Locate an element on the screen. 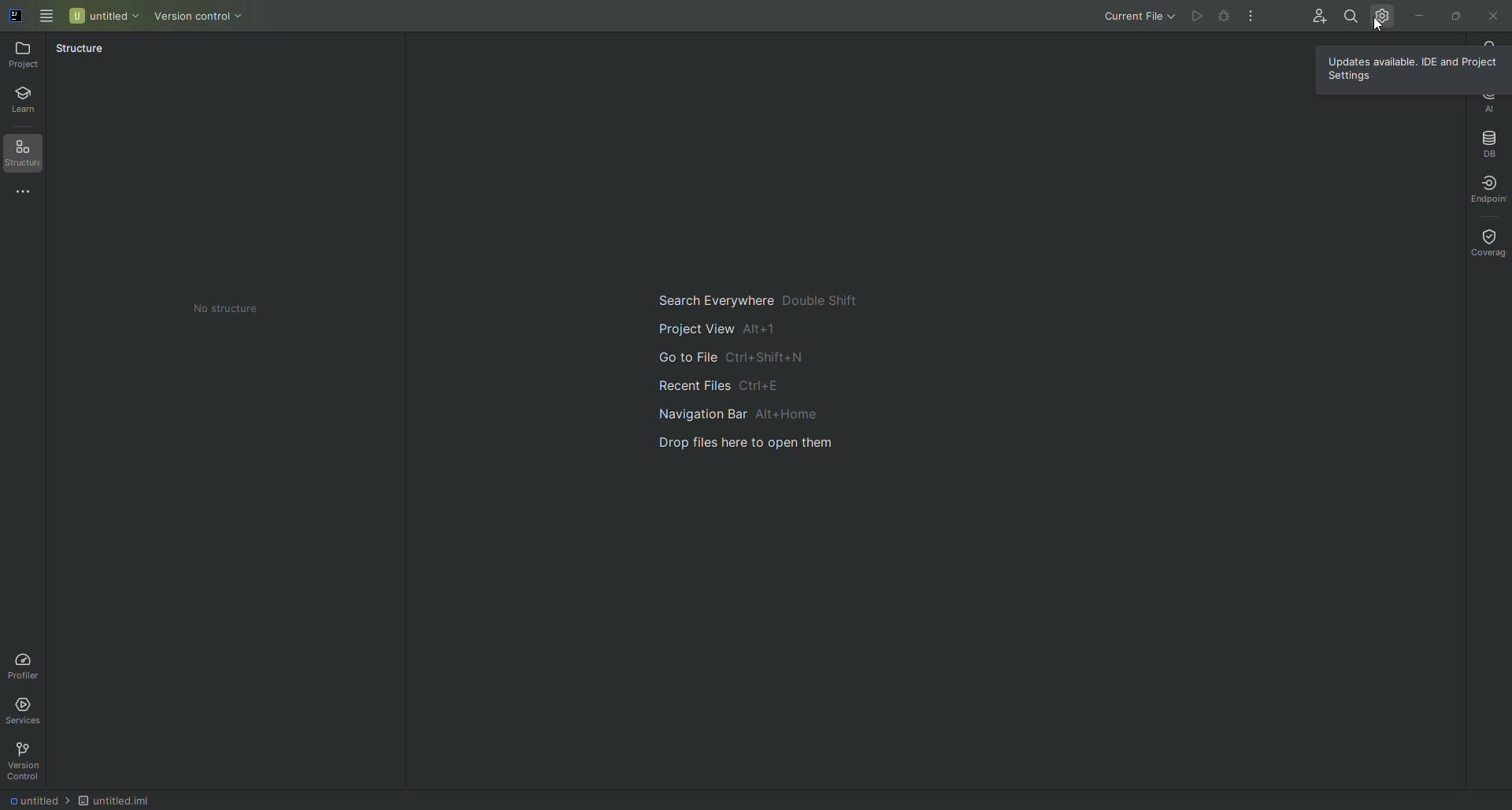 The width and height of the screenshot is (1512, 810). Search is located at coordinates (1349, 14).